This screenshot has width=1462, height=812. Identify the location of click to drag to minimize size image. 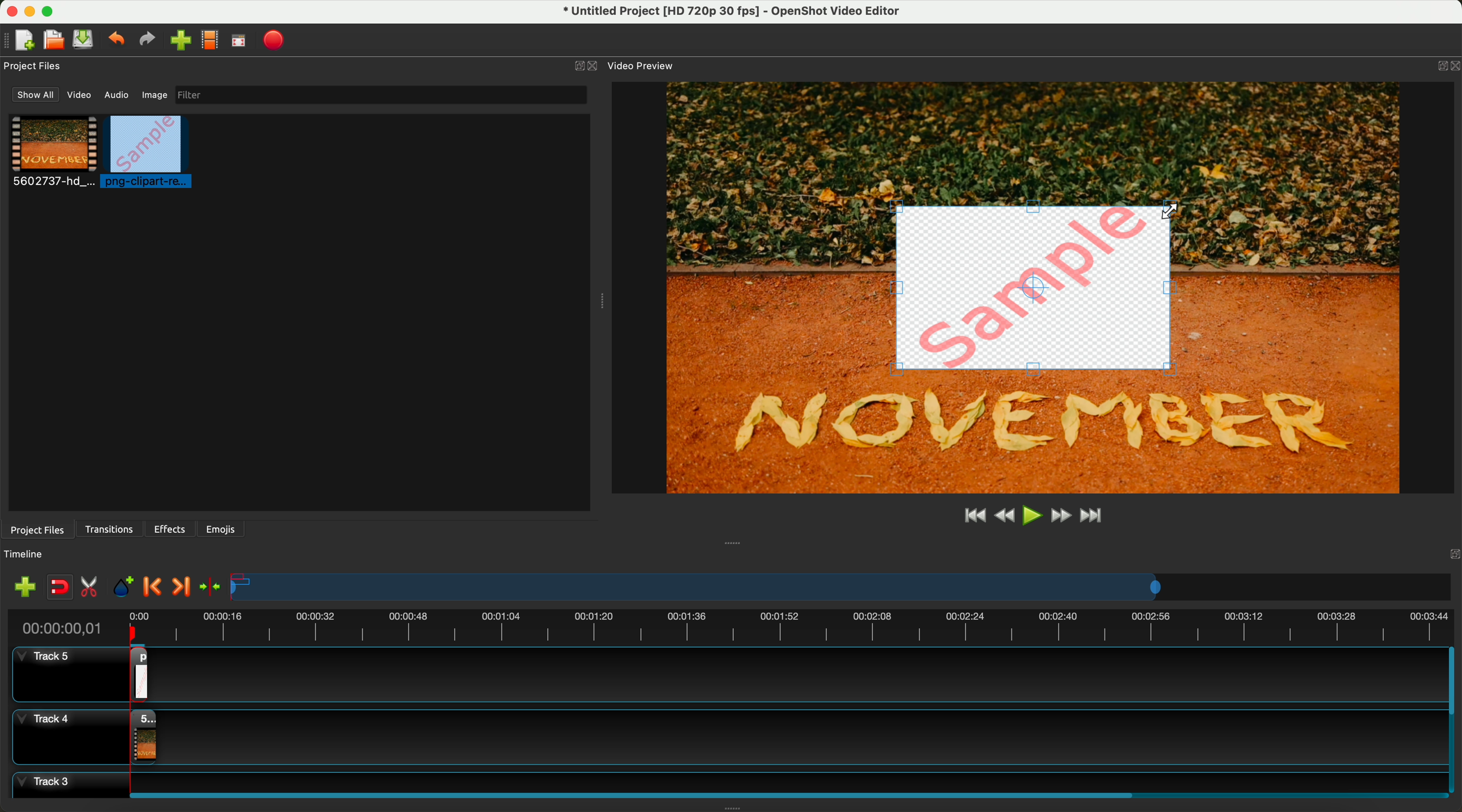
(1173, 212).